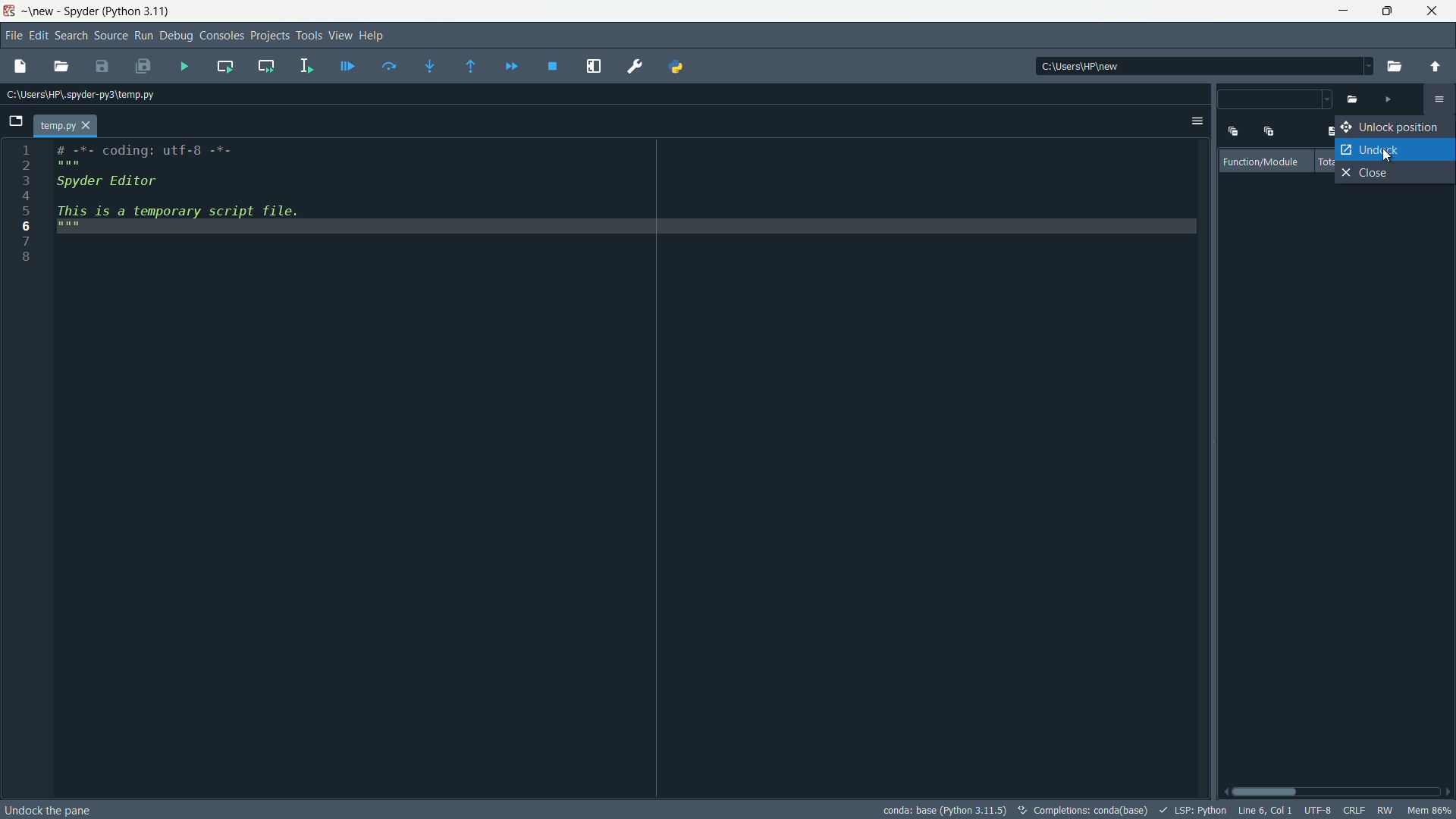 This screenshot has height=819, width=1456. What do you see at coordinates (1430, 811) in the screenshot?
I see `memory usage` at bounding box center [1430, 811].